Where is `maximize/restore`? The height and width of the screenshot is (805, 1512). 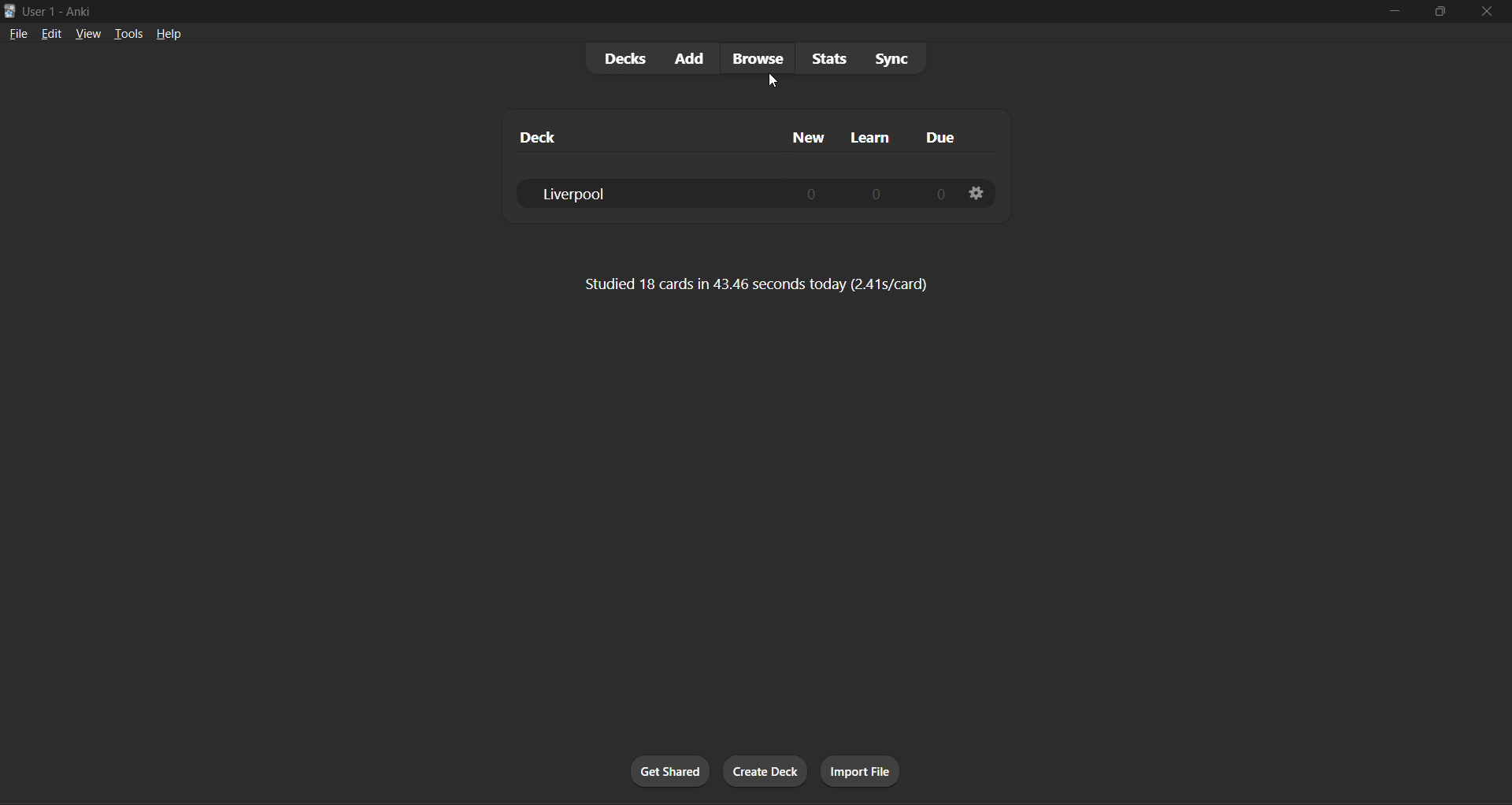
maximize/restore is located at coordinates (1438, 10).